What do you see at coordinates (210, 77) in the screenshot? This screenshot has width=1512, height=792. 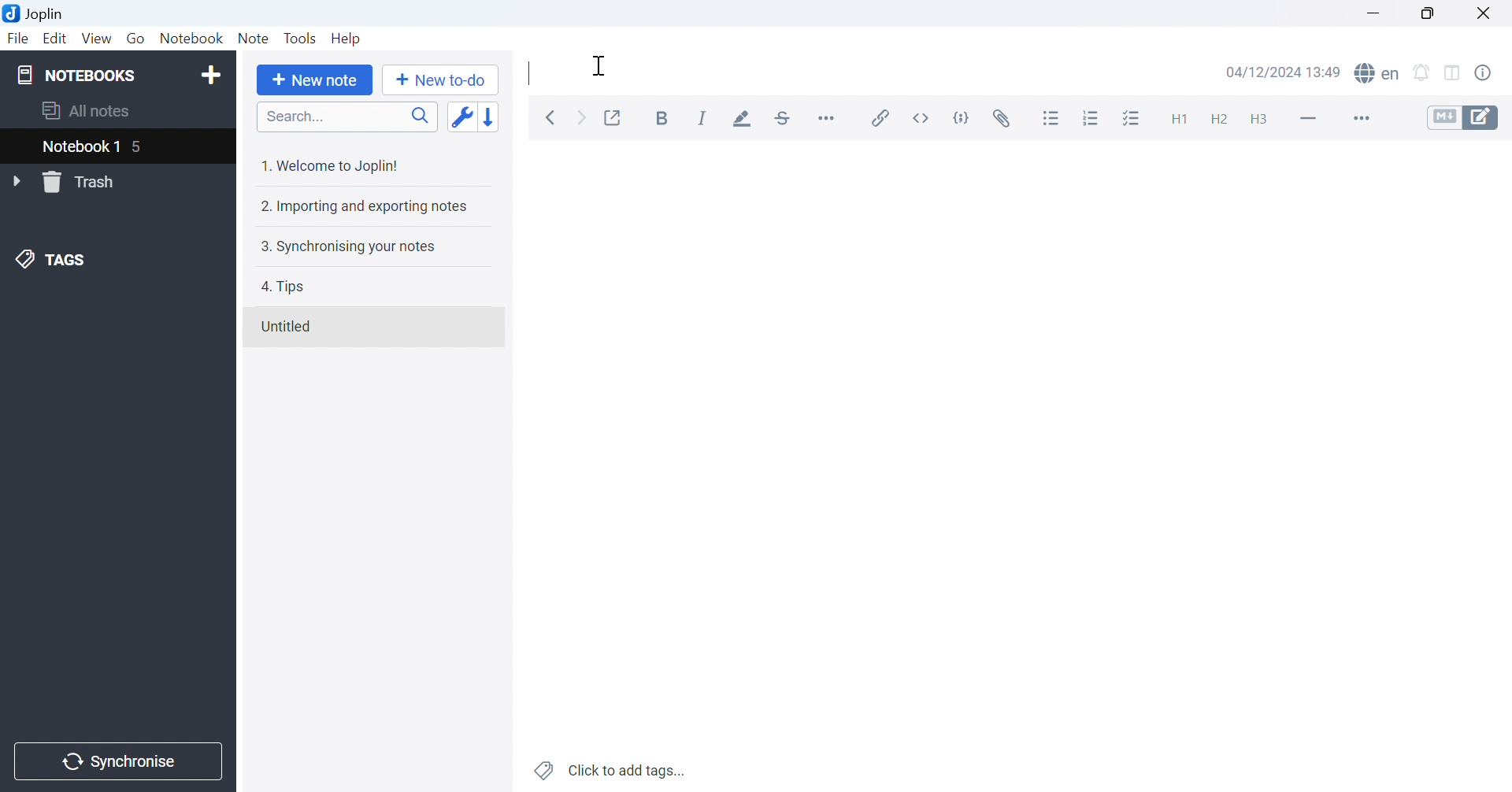 I see `Add notebook` at bounding box center [210, 77].